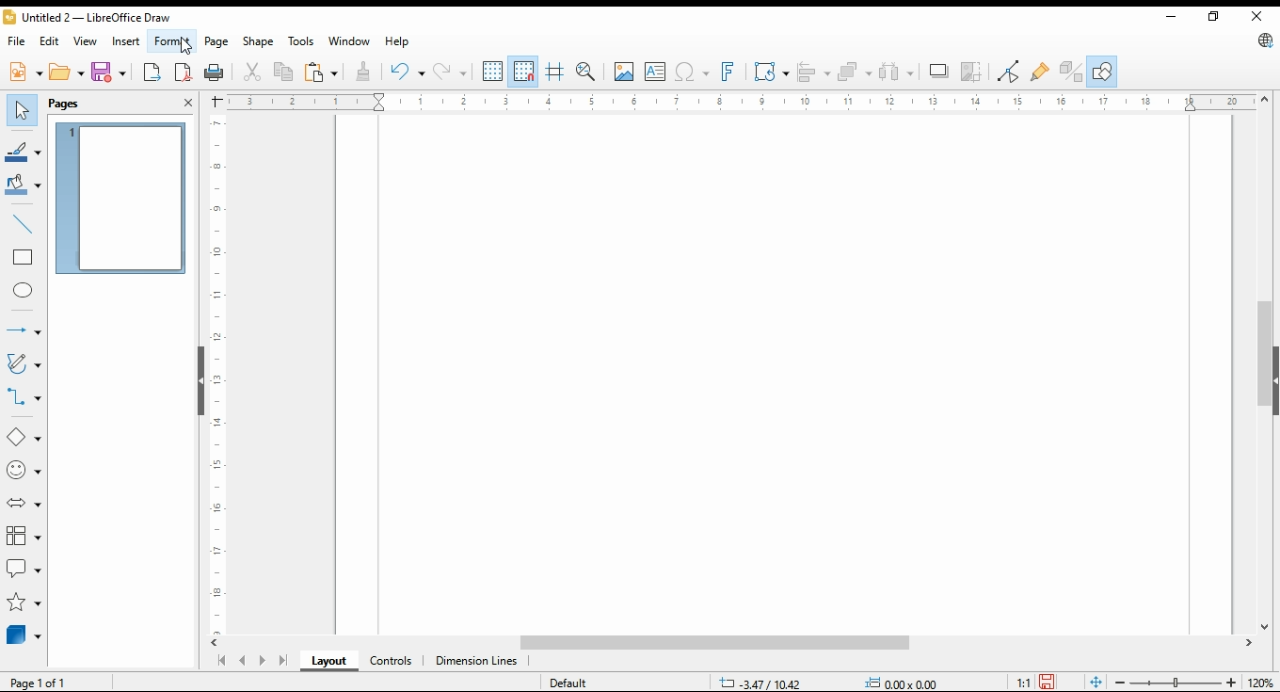  Describe the element at coordinates (974, 71) in the screenshot. I see `crop` at that location.